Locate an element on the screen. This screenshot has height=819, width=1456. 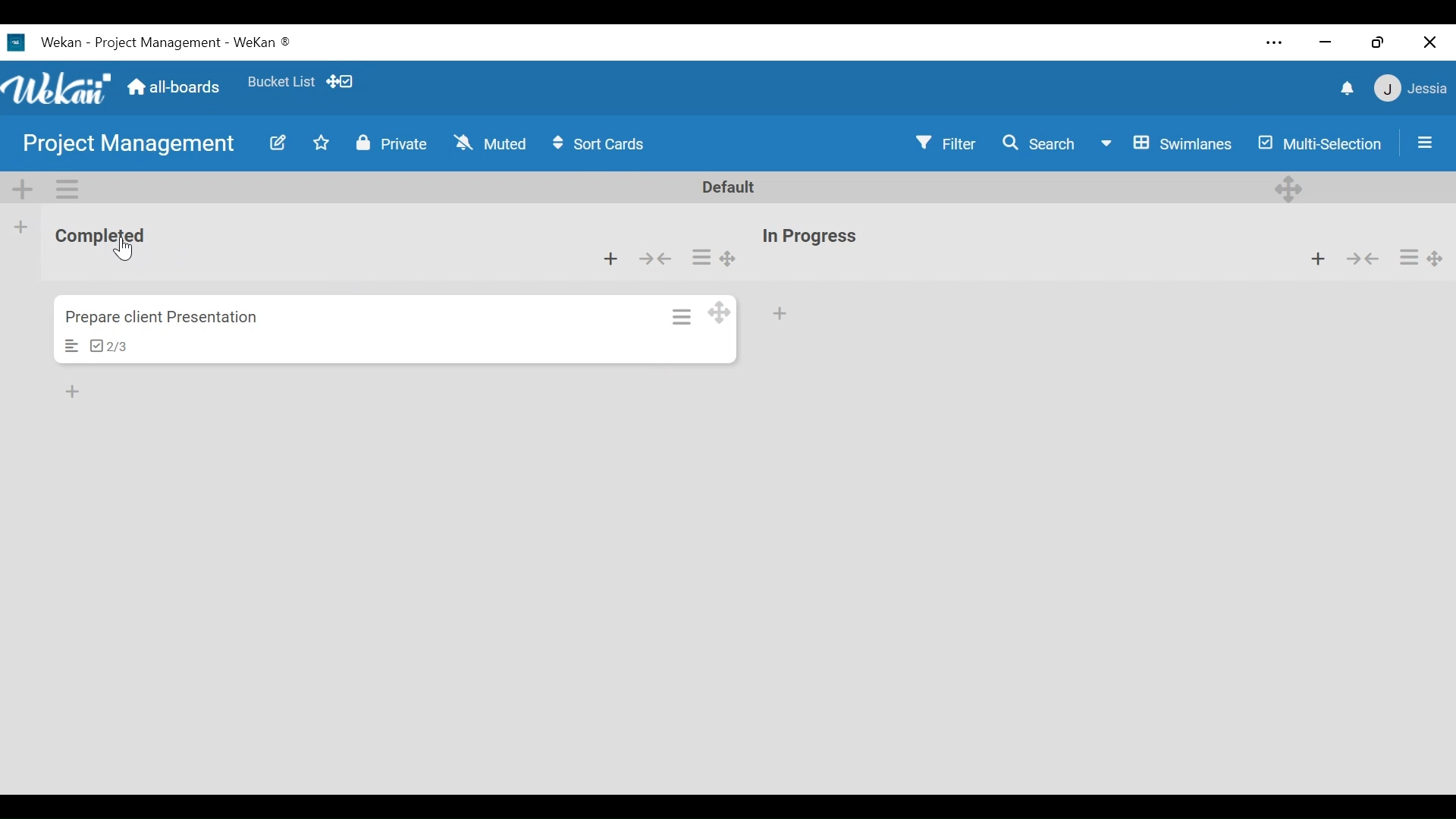
List name is located at coordinates (813, 237).